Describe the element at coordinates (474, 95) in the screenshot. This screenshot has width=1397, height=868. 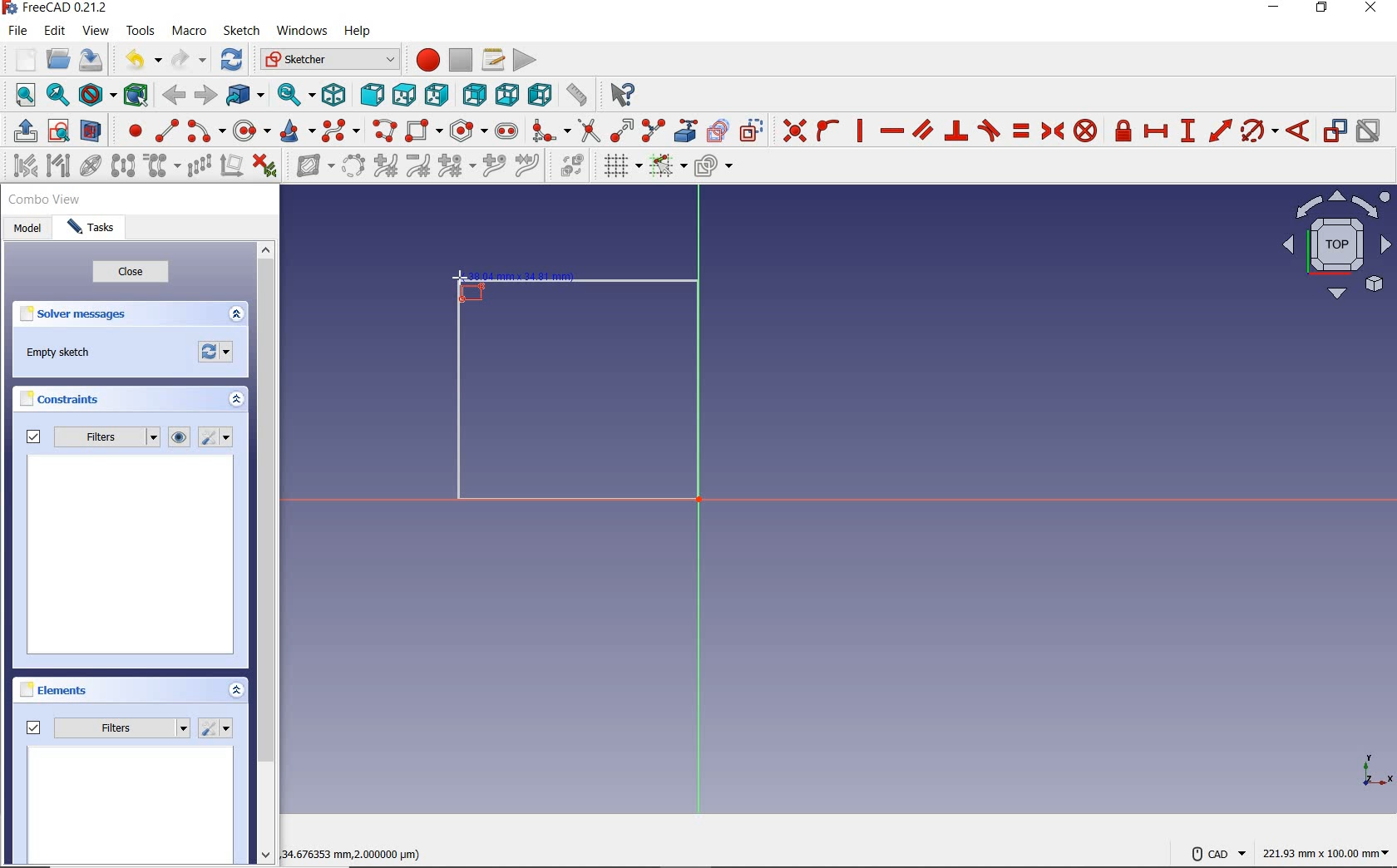
I see `rear` at that location.